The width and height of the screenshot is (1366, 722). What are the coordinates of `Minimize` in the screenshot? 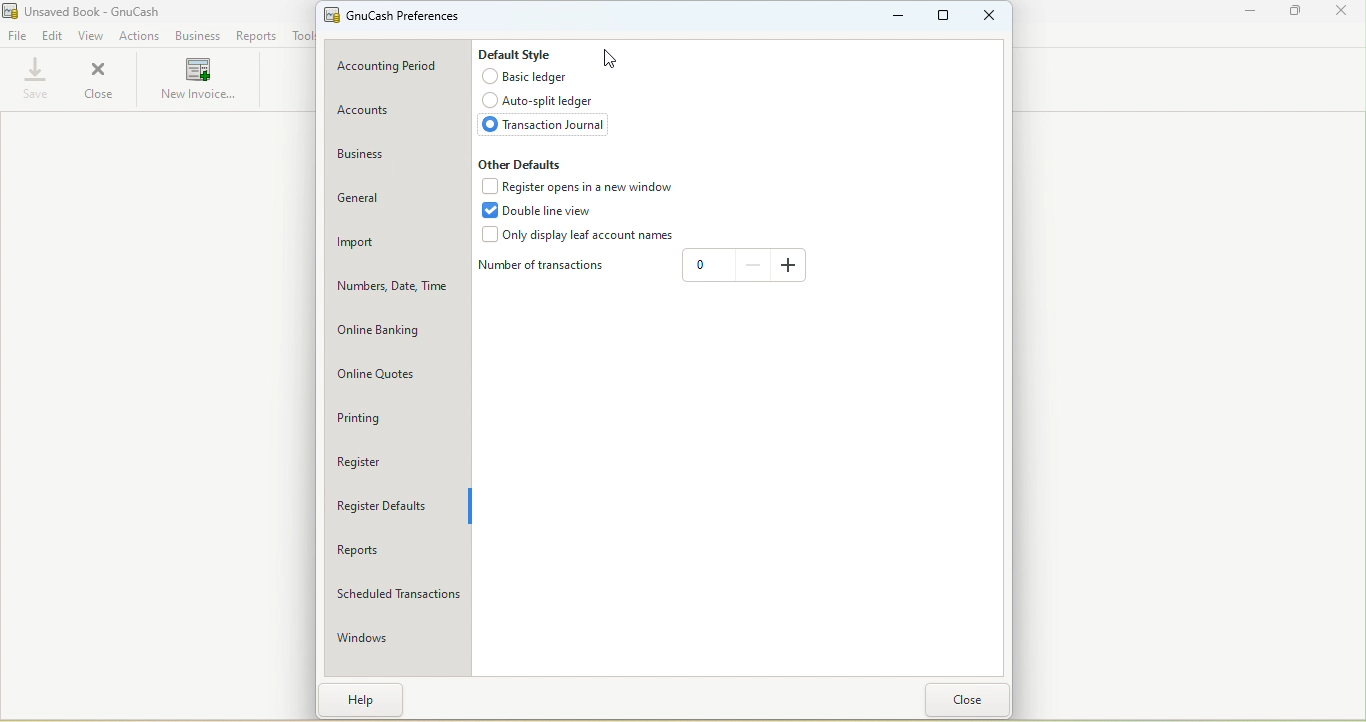 It's located at (896, 18).